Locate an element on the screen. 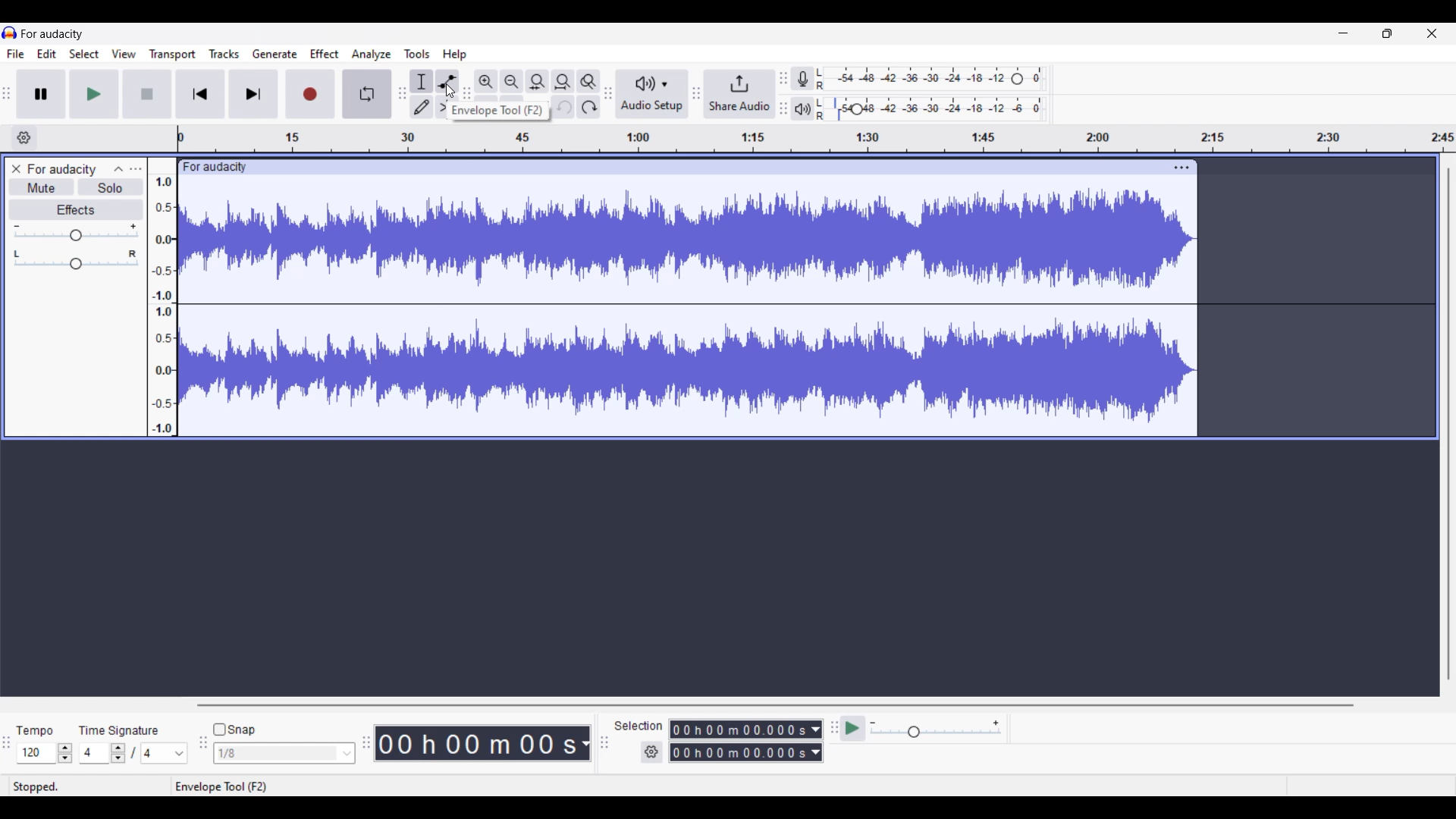 The height and width of the screenshot is (819, 1456). Playback speed settings is located at coordinates (936, 728).